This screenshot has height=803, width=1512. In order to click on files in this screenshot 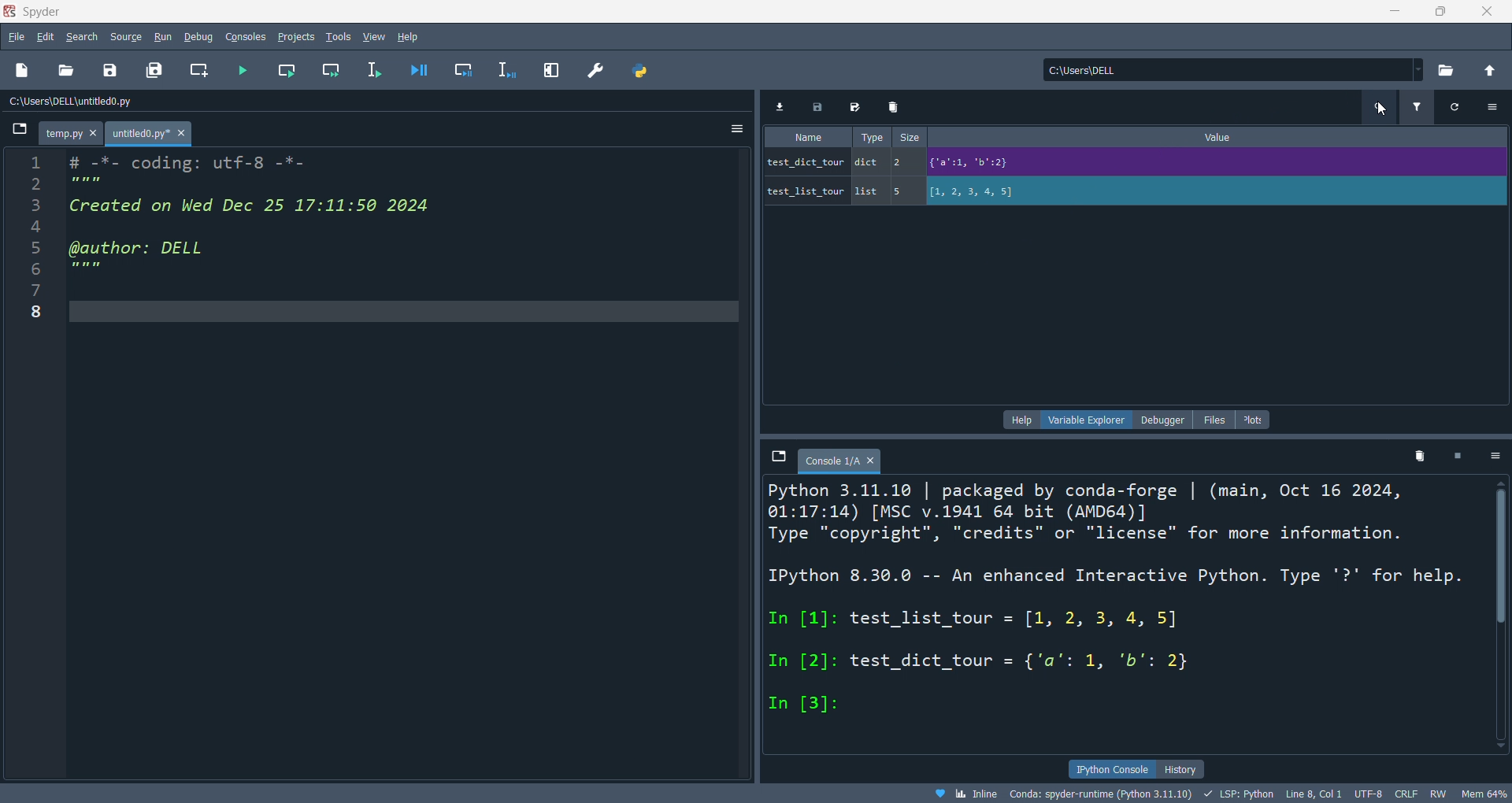, I will do `click(1211, 418)`.